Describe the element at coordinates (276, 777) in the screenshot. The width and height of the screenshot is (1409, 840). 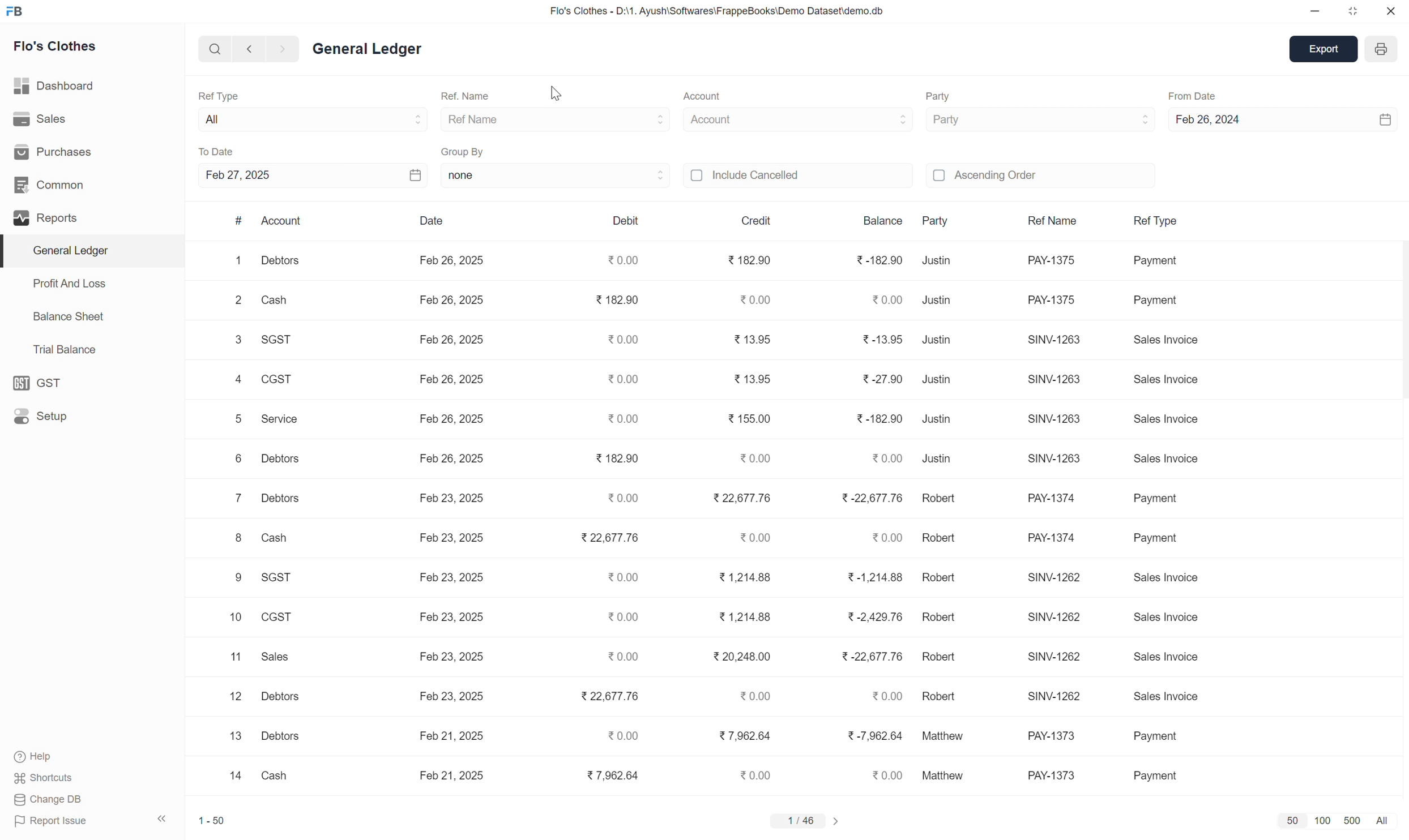
I see `cash` at that location.